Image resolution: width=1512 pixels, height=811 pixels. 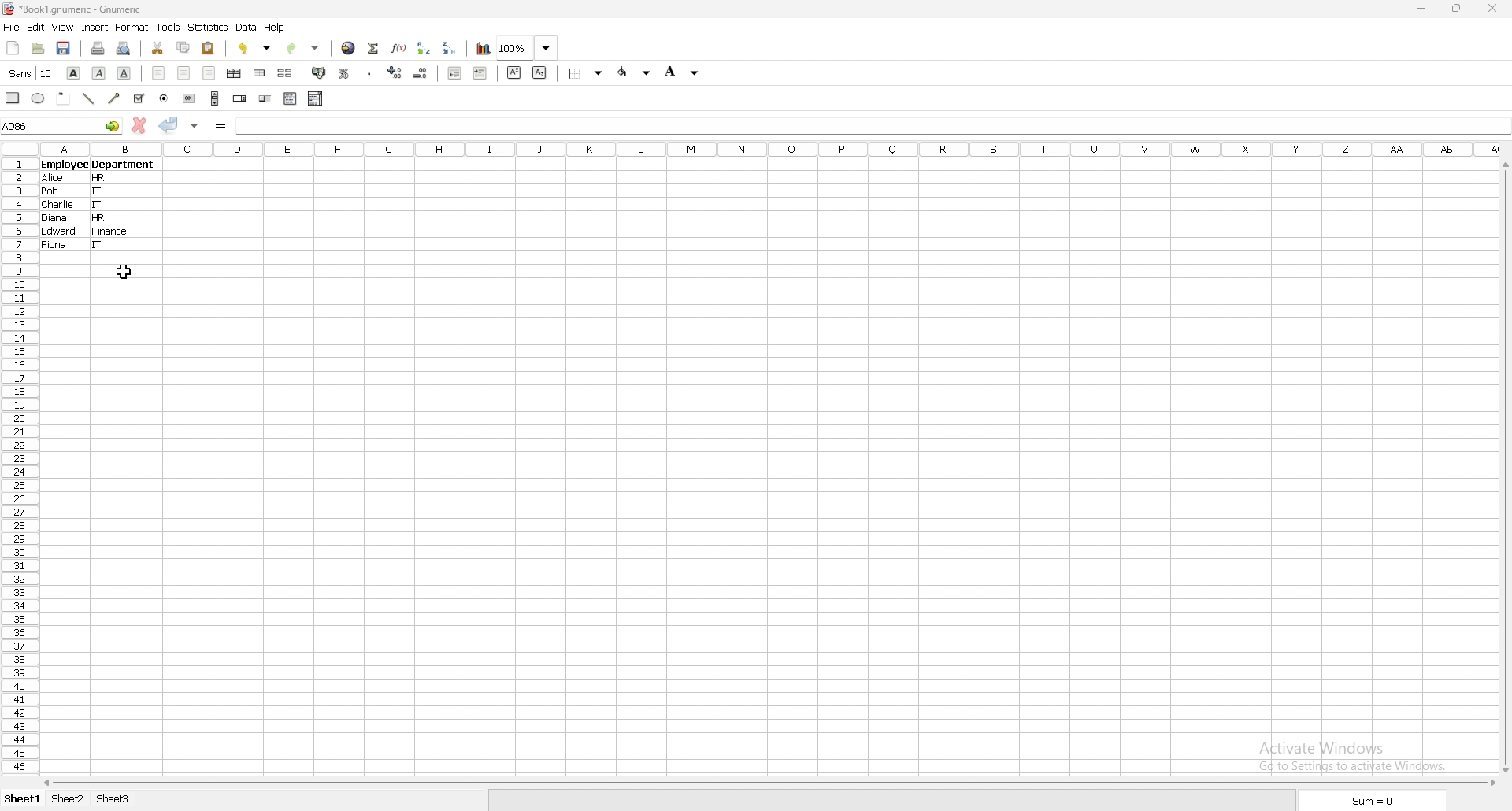 What do you see at coordinates (164, 98) in the screenshot?
I see `radio button` at bounding box center [164, 98].